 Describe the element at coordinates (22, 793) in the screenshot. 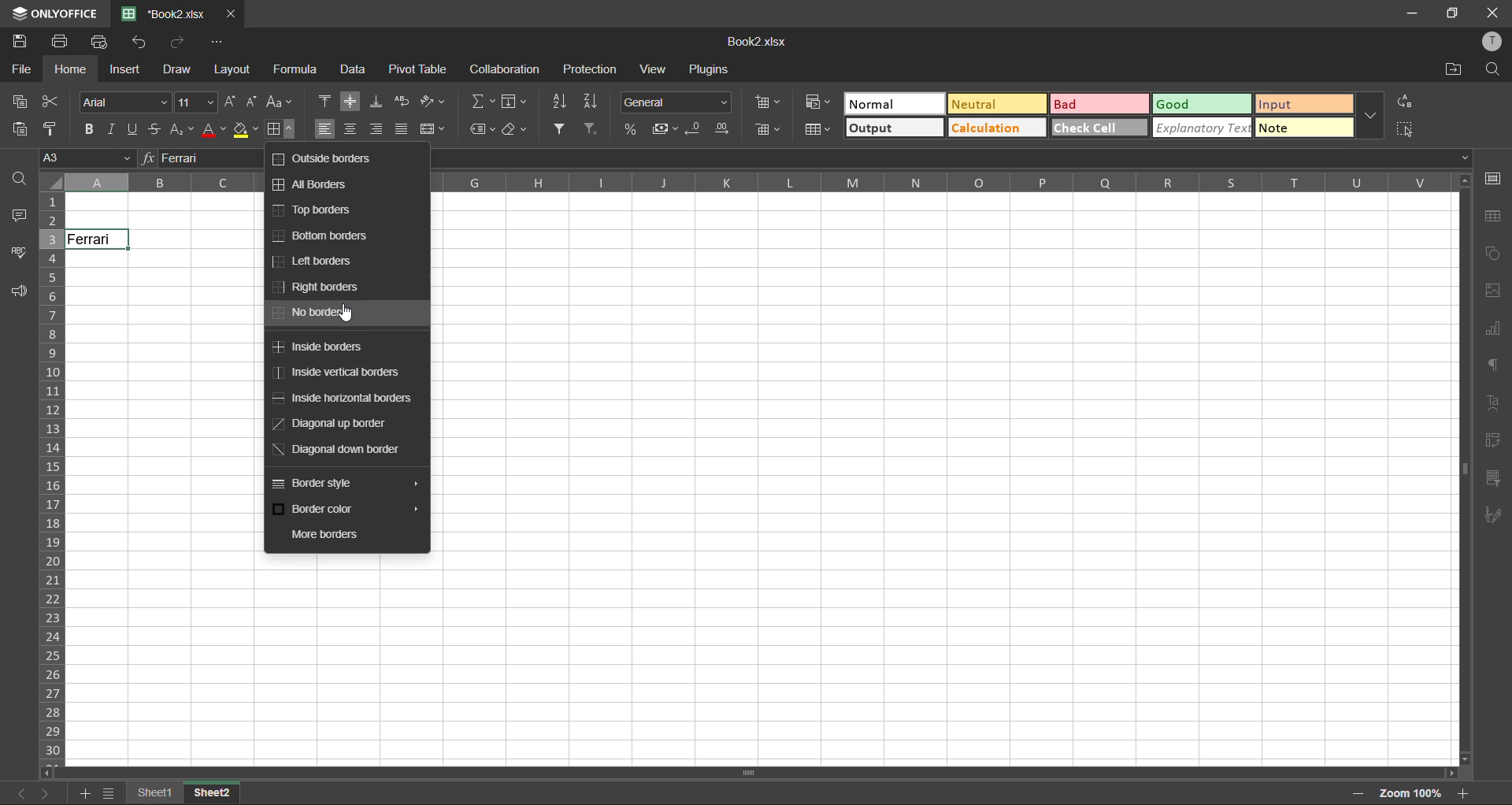

I see `previous` at that location.